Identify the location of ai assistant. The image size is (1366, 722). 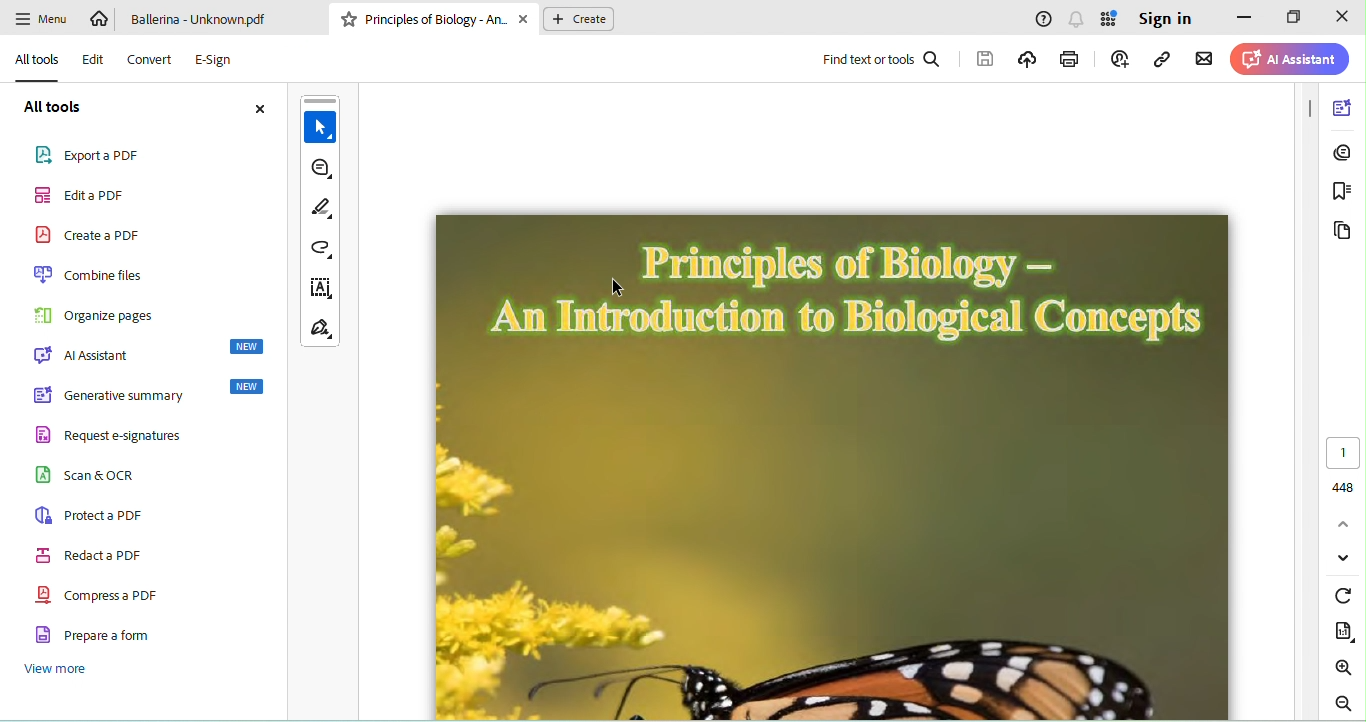
(1289, 60).